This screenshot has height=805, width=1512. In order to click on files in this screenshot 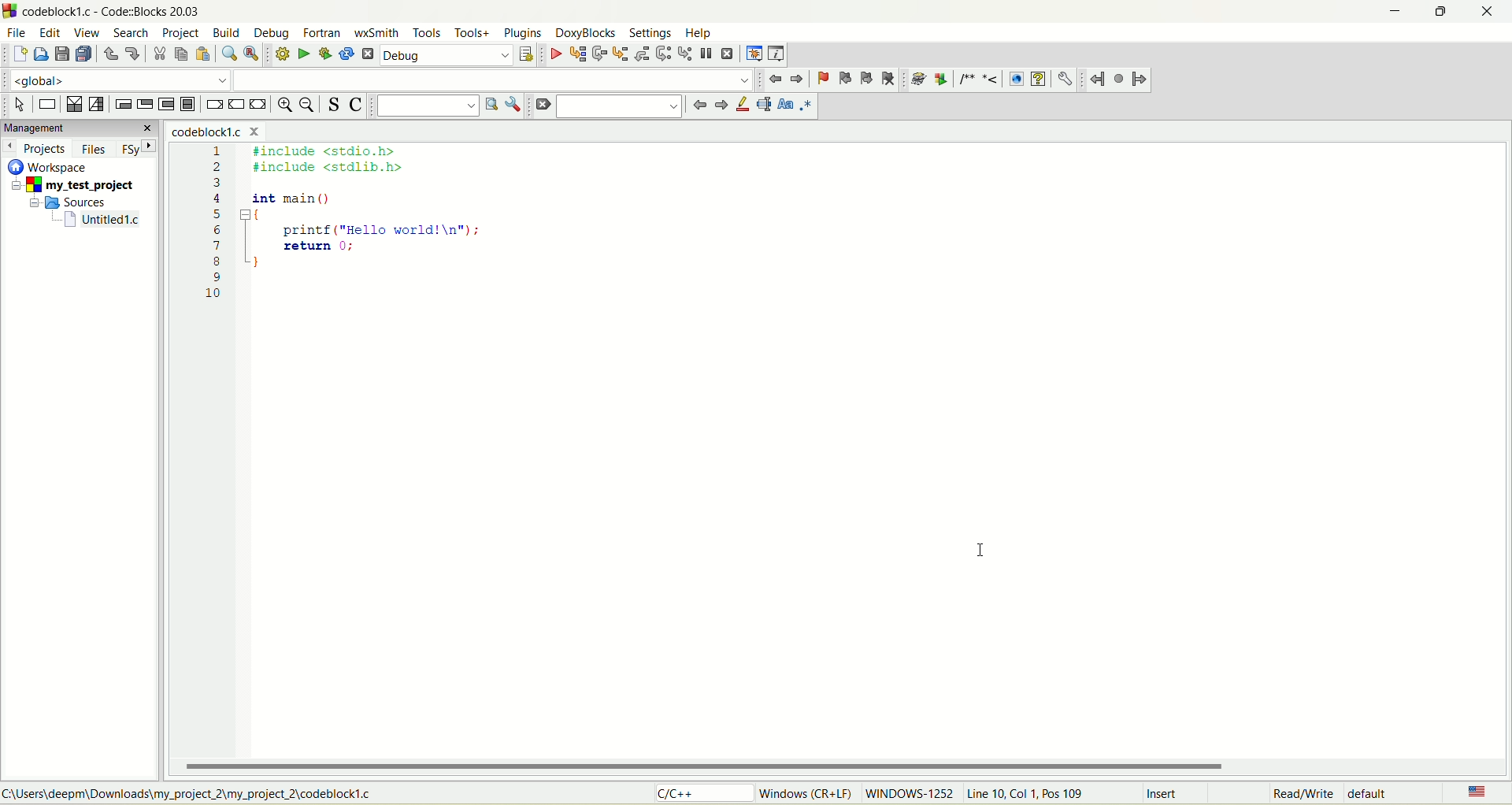, I will do `click(95, 149)`.